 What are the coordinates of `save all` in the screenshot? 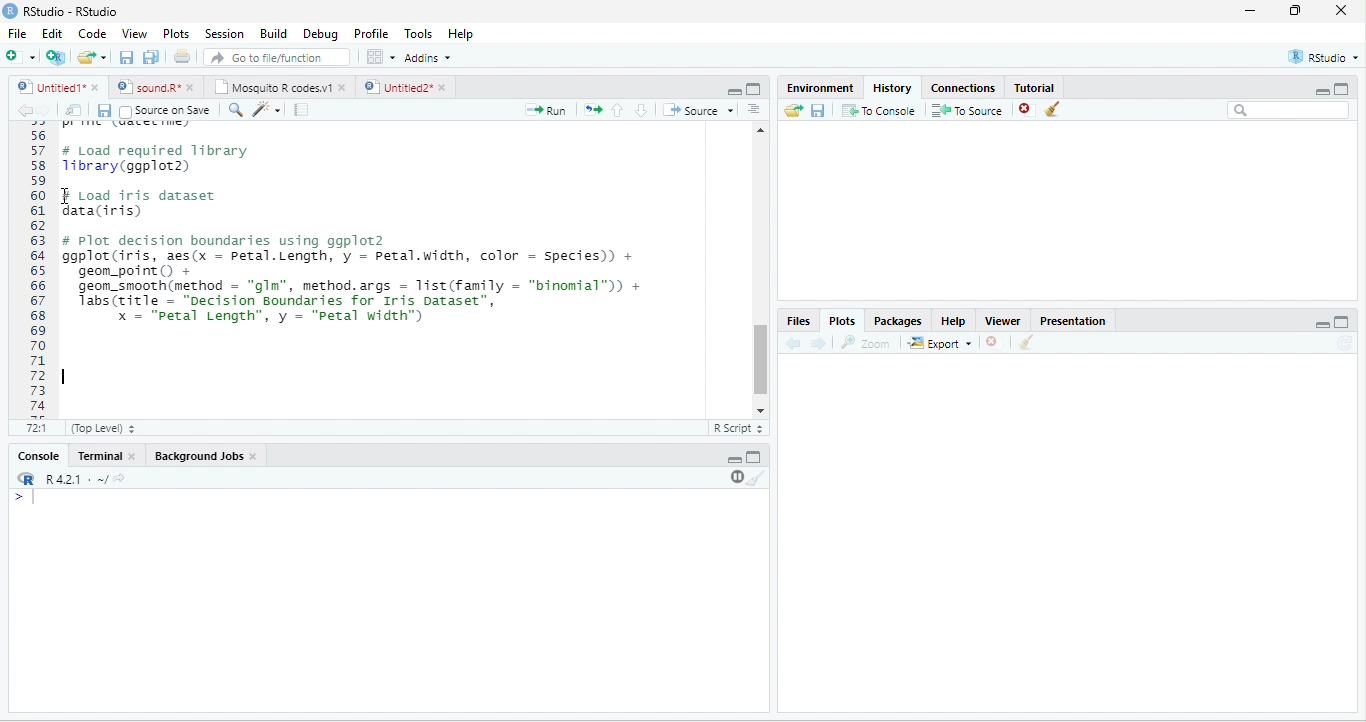 It's located at (150, 57).